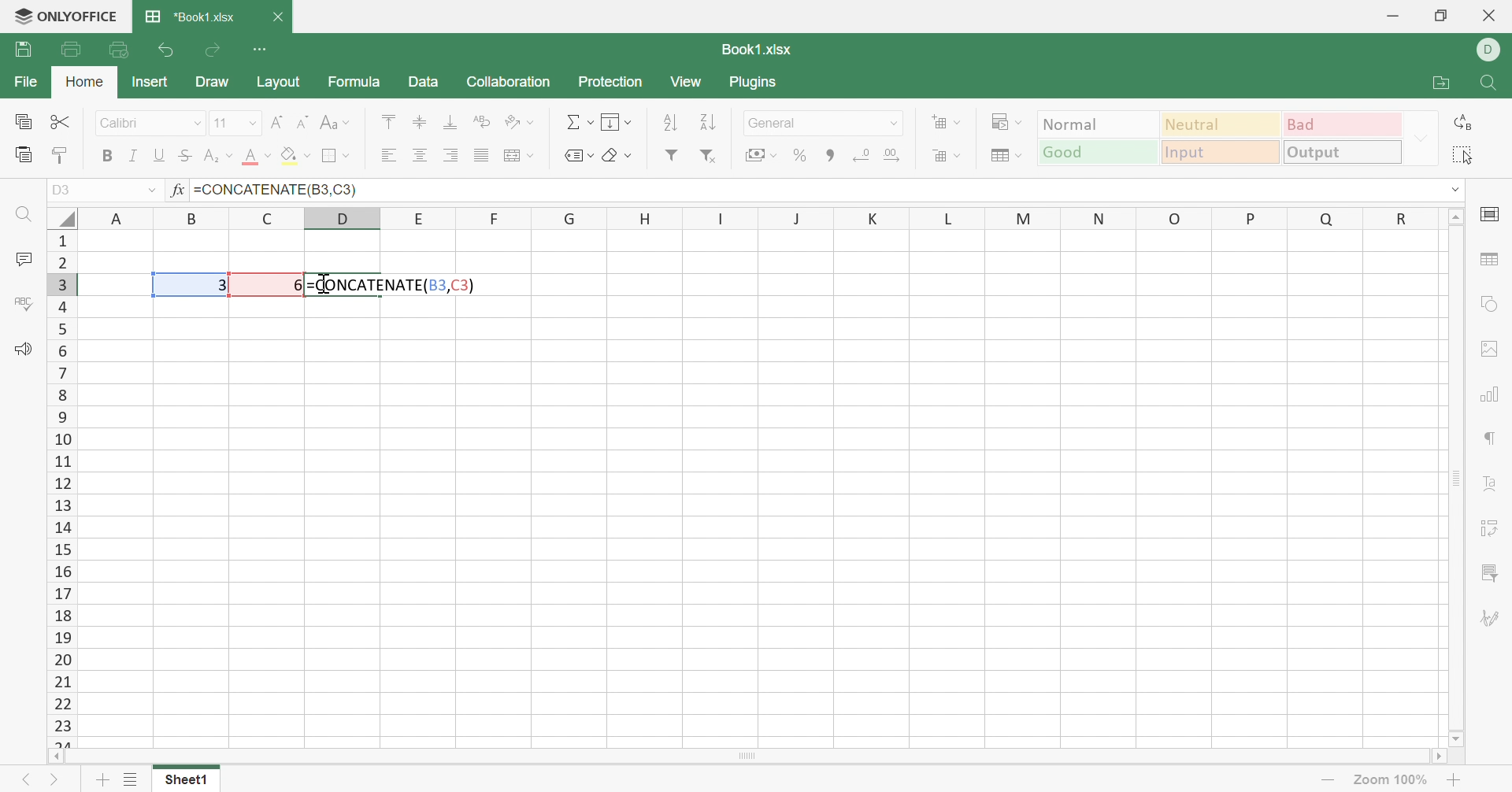 This screenshot has height=792, width=1512. Describe the element at coordinates (220, 284) in the screenshot. I see `3` at that location.